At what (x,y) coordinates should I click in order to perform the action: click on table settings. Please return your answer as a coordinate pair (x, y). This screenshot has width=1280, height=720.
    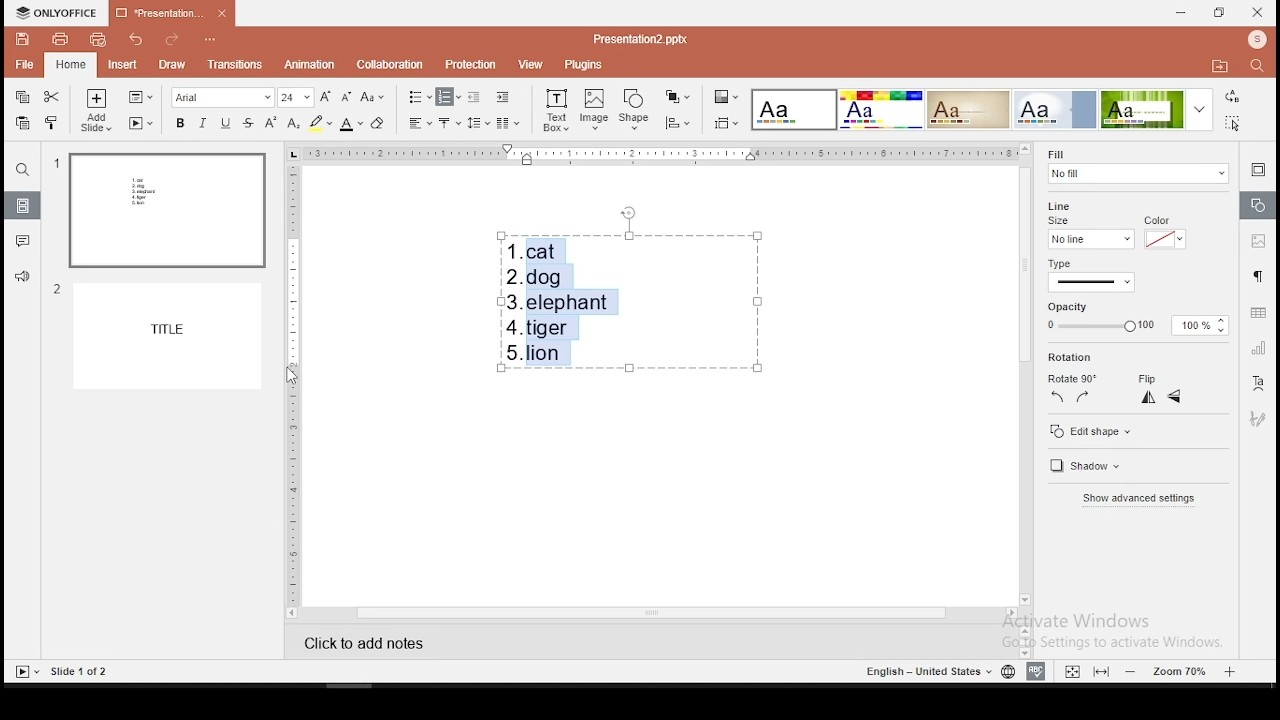
    Looking at the image, I should click on (1255, 314).